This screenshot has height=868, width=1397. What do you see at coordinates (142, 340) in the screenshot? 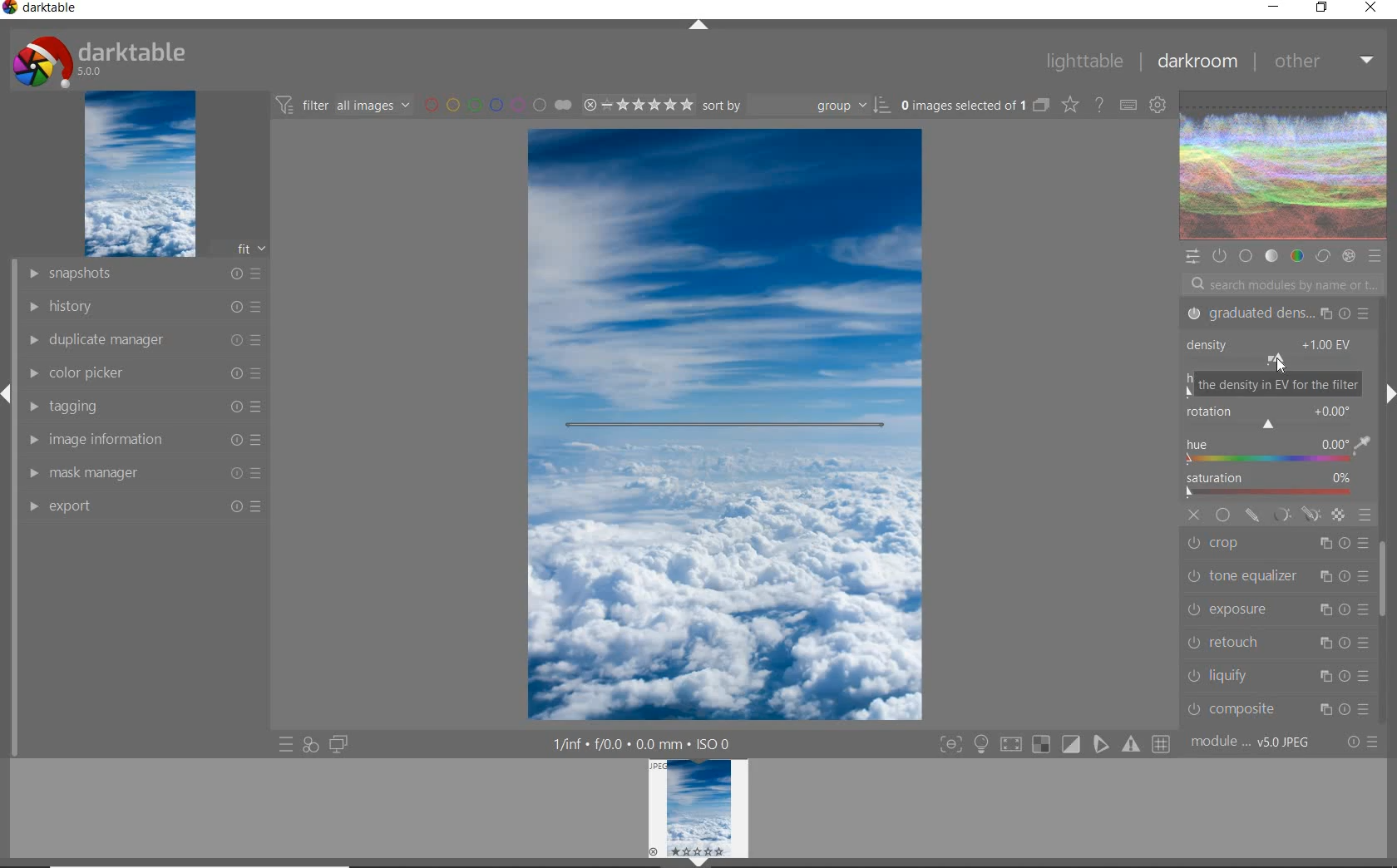
I see `DUPLICATE MANAGER` at bounding box center [142, 340].